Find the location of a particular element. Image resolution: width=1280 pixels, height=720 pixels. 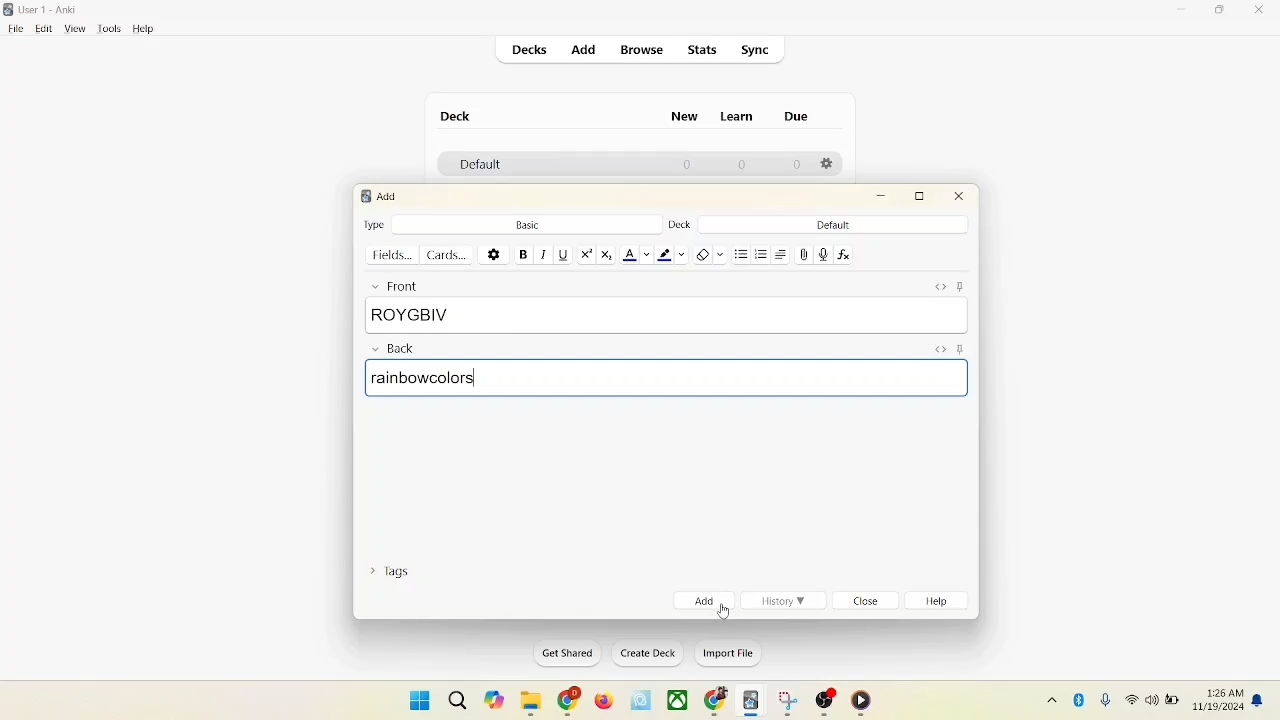

minimize is located at coordinates (1183, 11).